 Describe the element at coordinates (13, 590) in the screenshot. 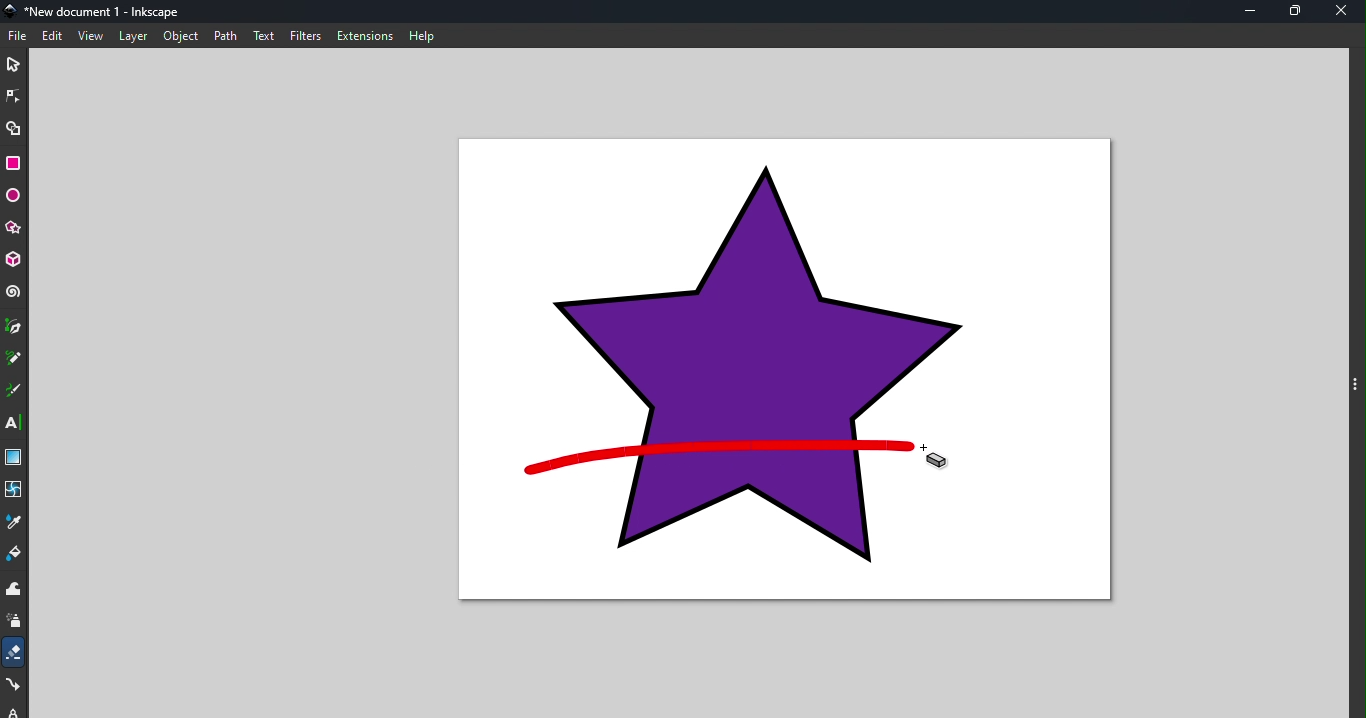

I see `tweak tool` at that location.